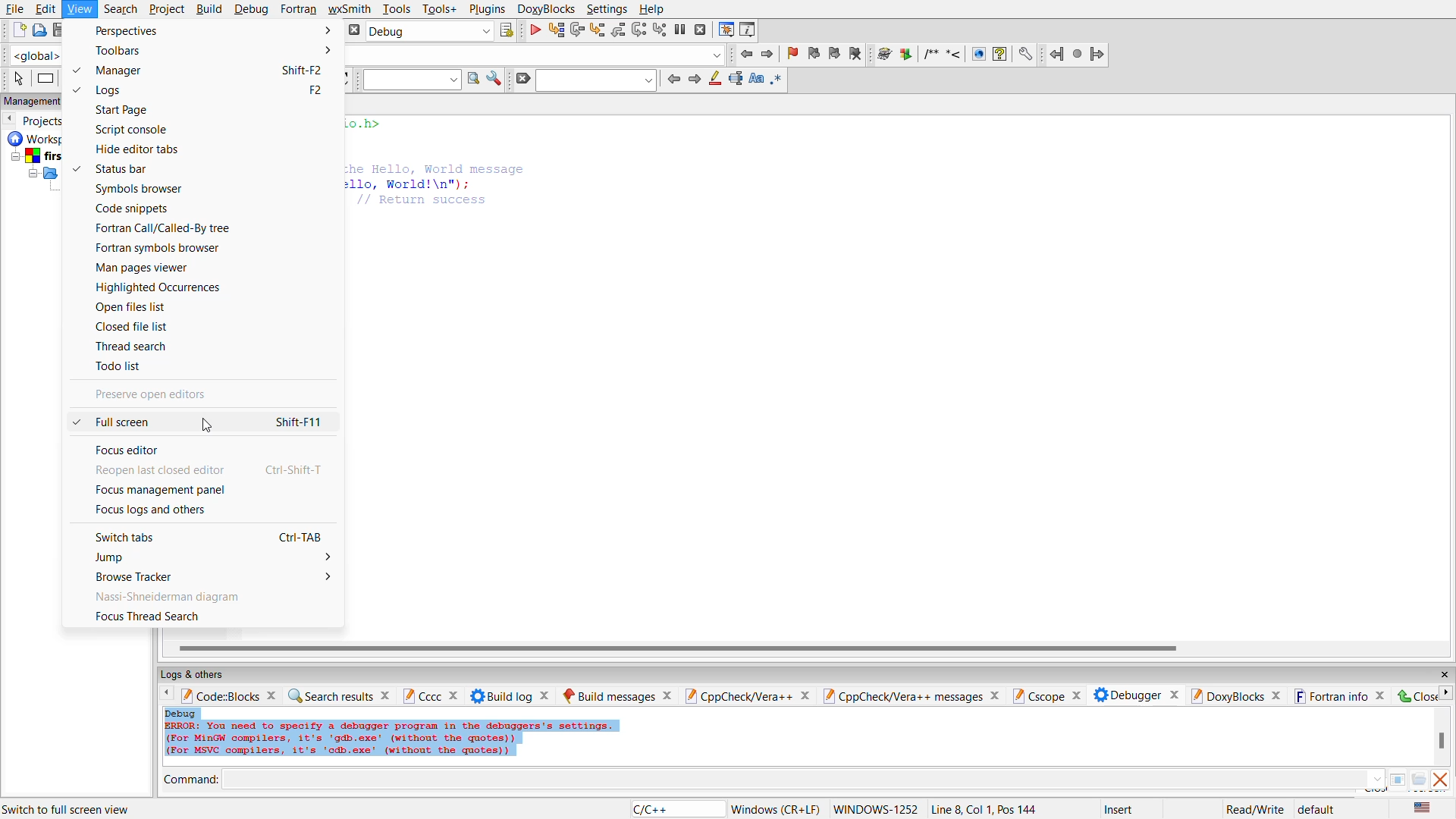 This screenshot has height=819, width=1456. What do you see at coordinates (759, 80) in the screenshot?
I see `match case` at bounding box center [759, 80].